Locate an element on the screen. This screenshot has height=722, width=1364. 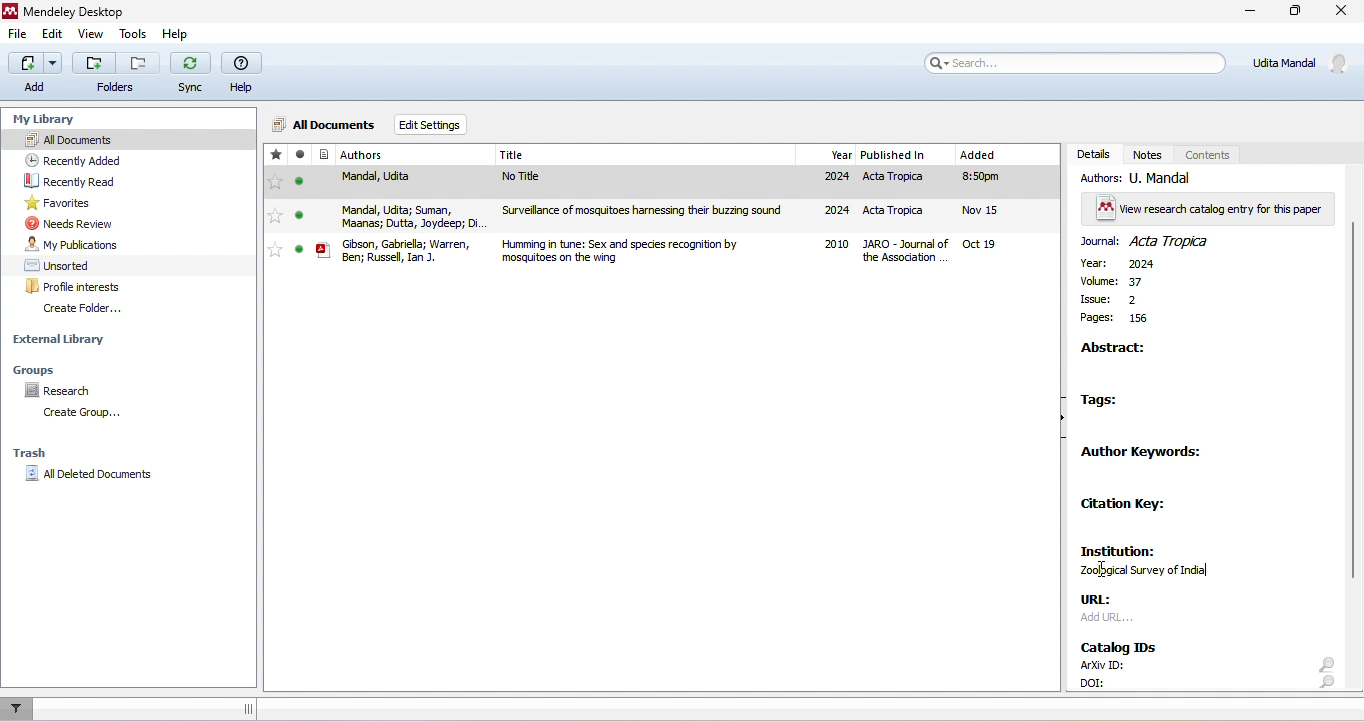
year : 2024 is located at coordinates (1122, 265).